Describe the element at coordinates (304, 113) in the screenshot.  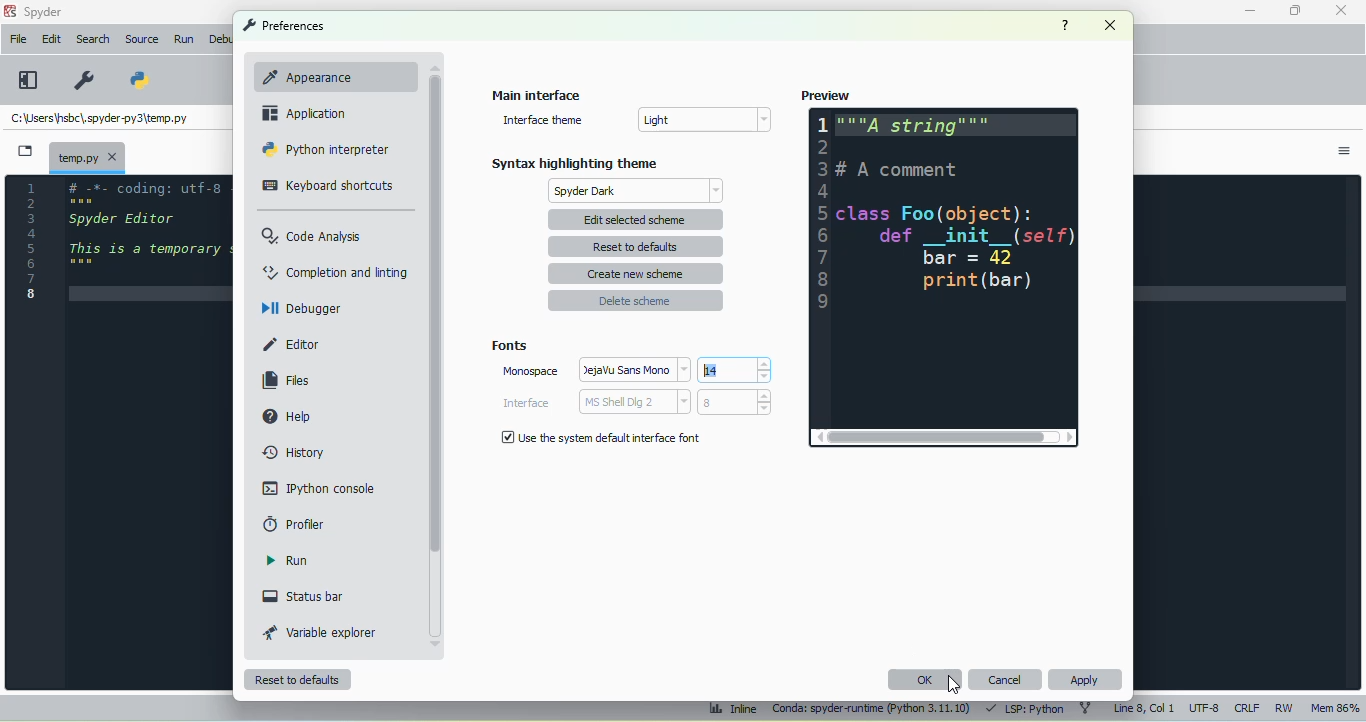
I see `application` at that location.